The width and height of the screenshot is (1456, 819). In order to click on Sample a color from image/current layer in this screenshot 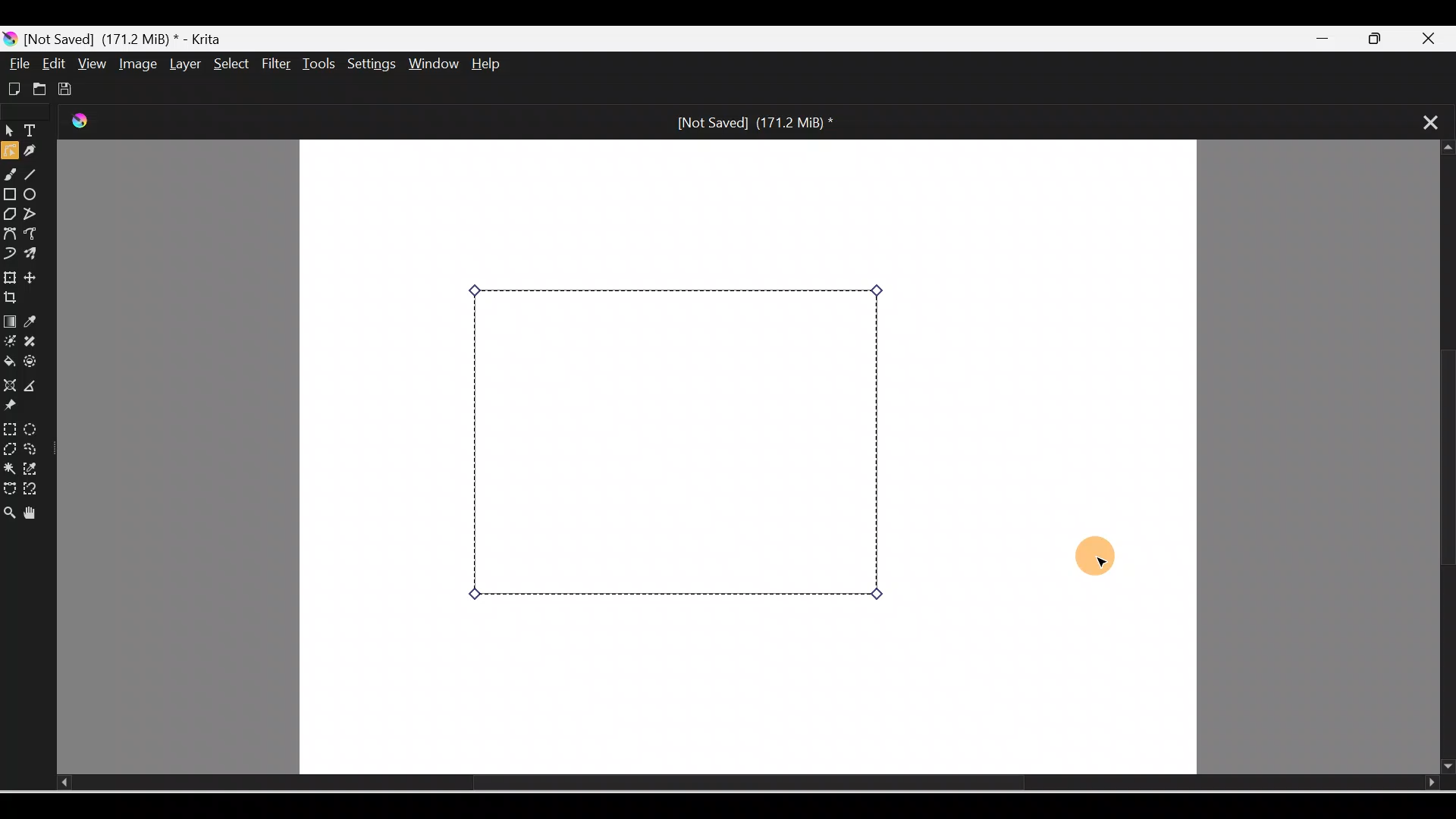, I will do `click(36, 322)`.